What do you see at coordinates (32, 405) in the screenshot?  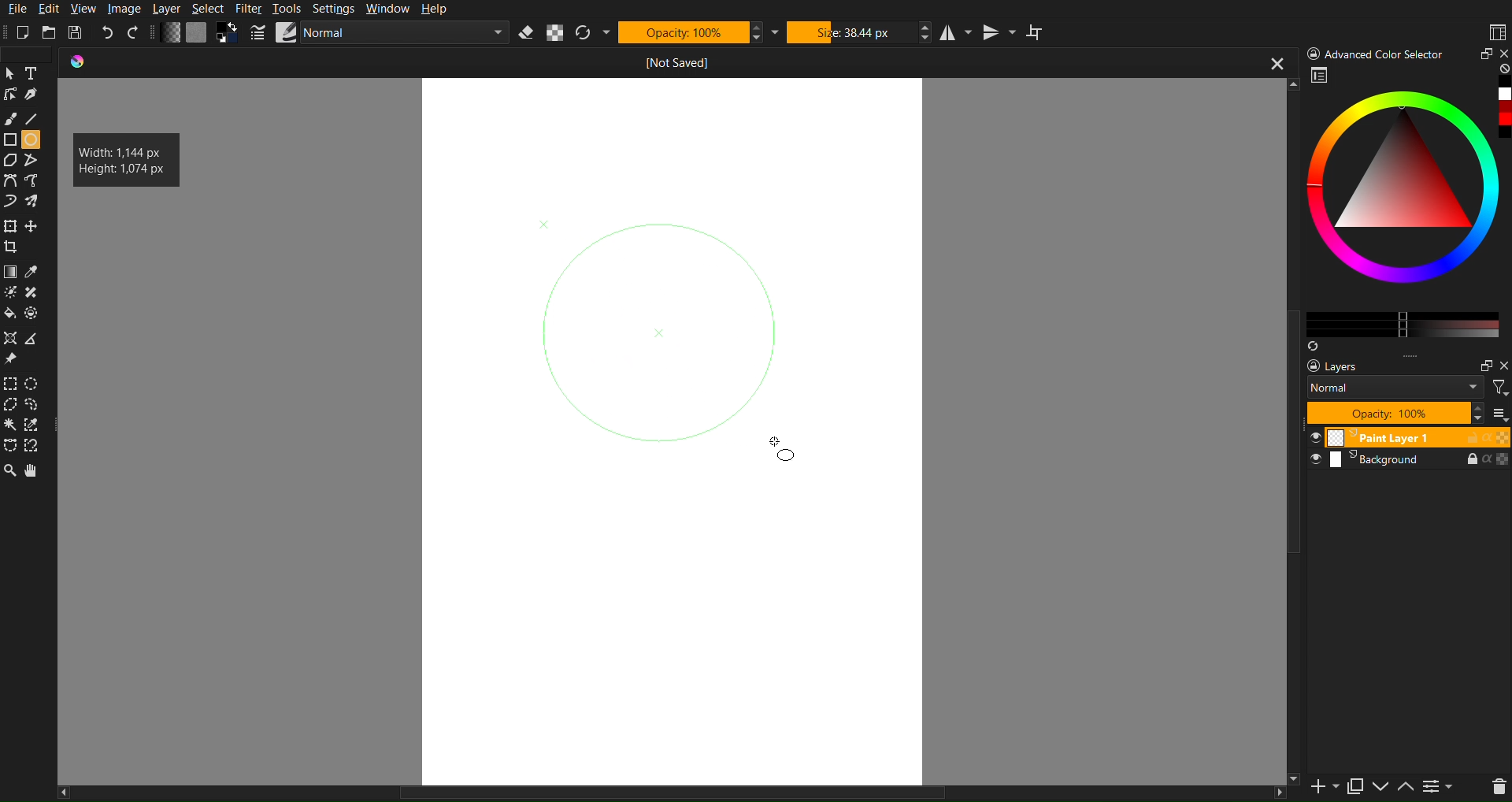 I see `Selection free` at bounding box center [32, 405].